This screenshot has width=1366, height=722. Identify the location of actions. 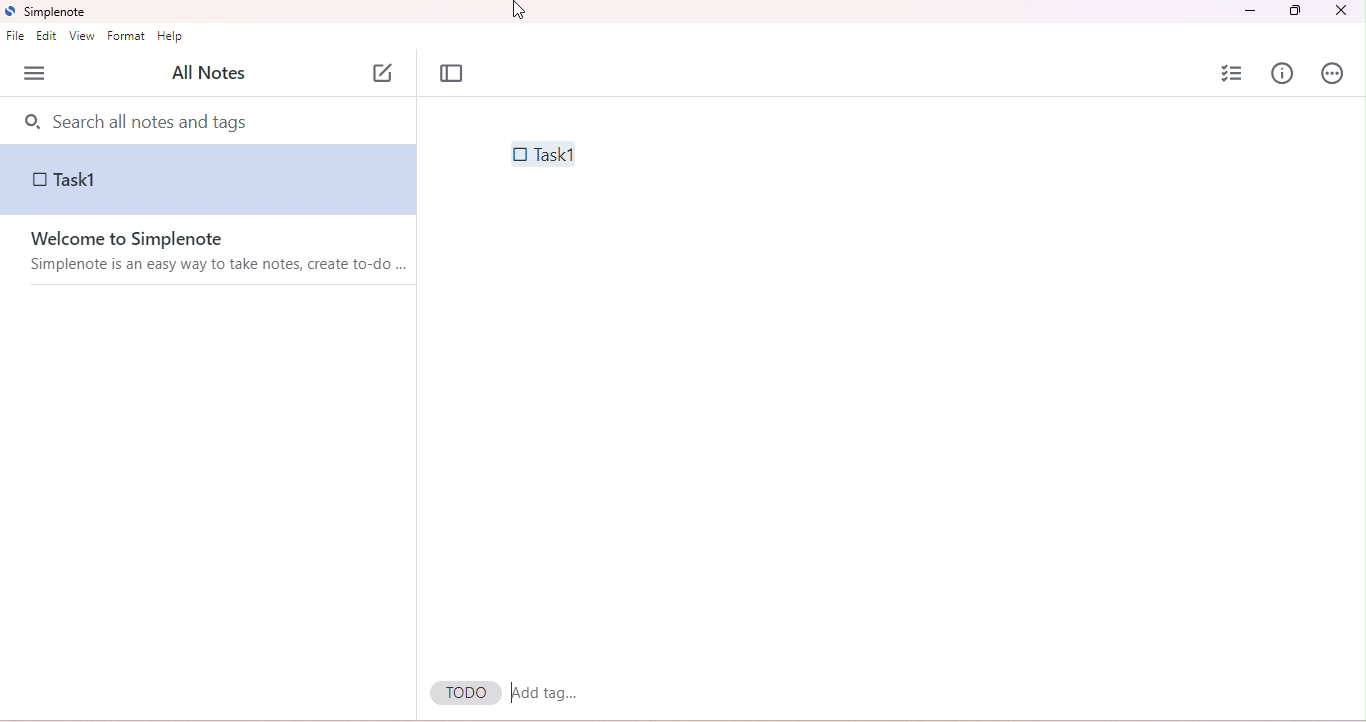
(1333, 75).